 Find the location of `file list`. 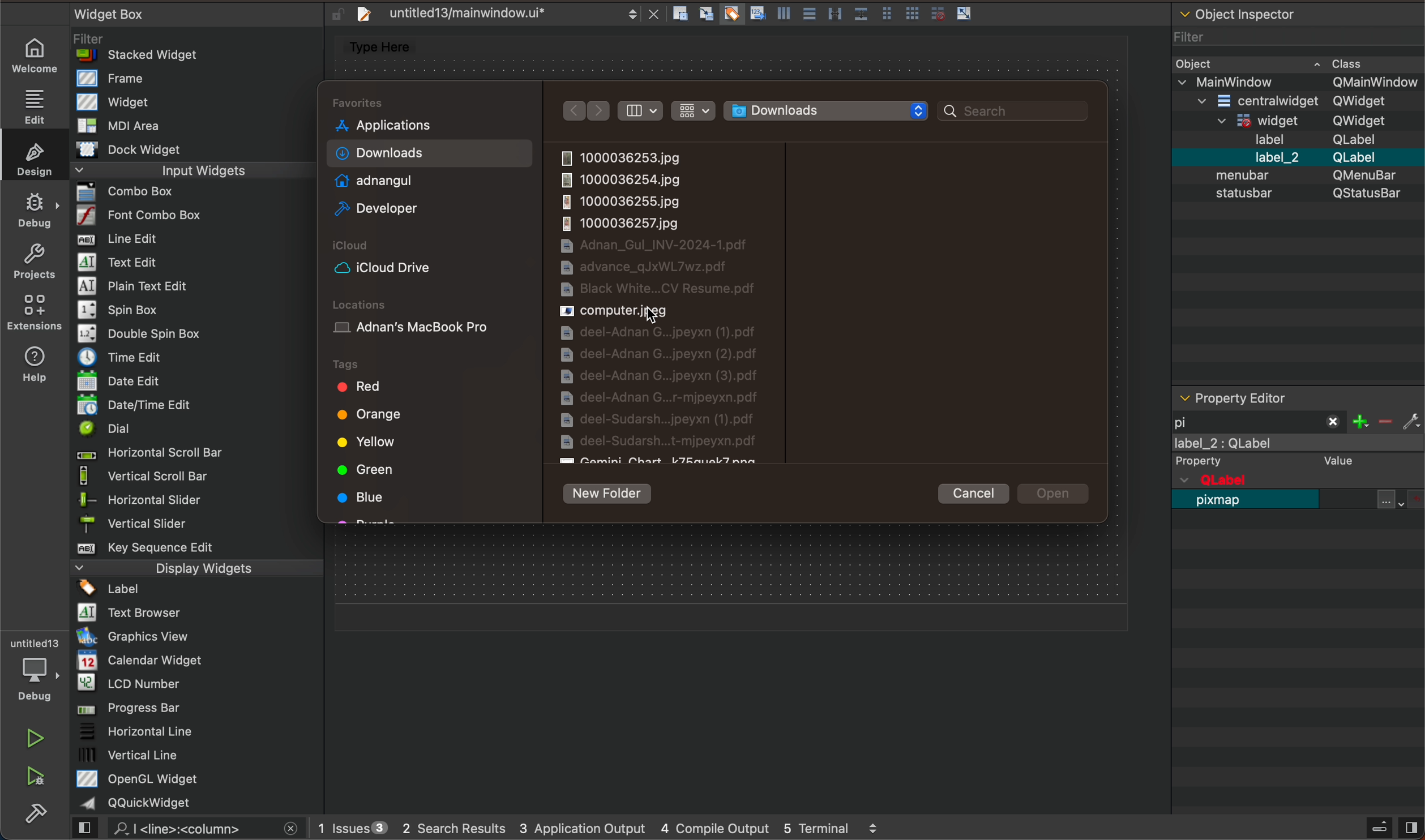

file list is located at coordinates (679, 305).